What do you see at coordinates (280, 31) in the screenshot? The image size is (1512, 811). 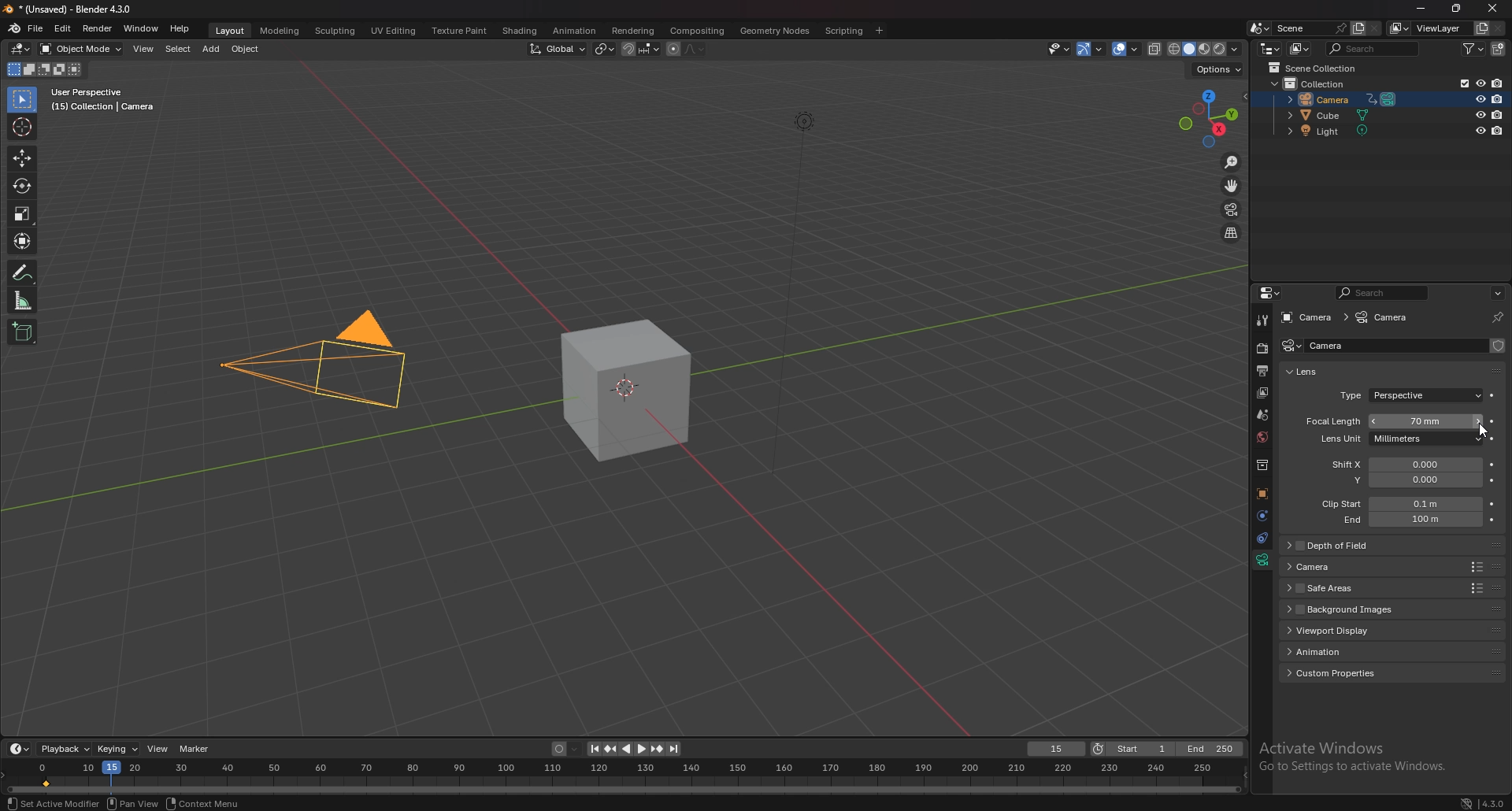 I see `modeling` at bounding box center [280, 31].